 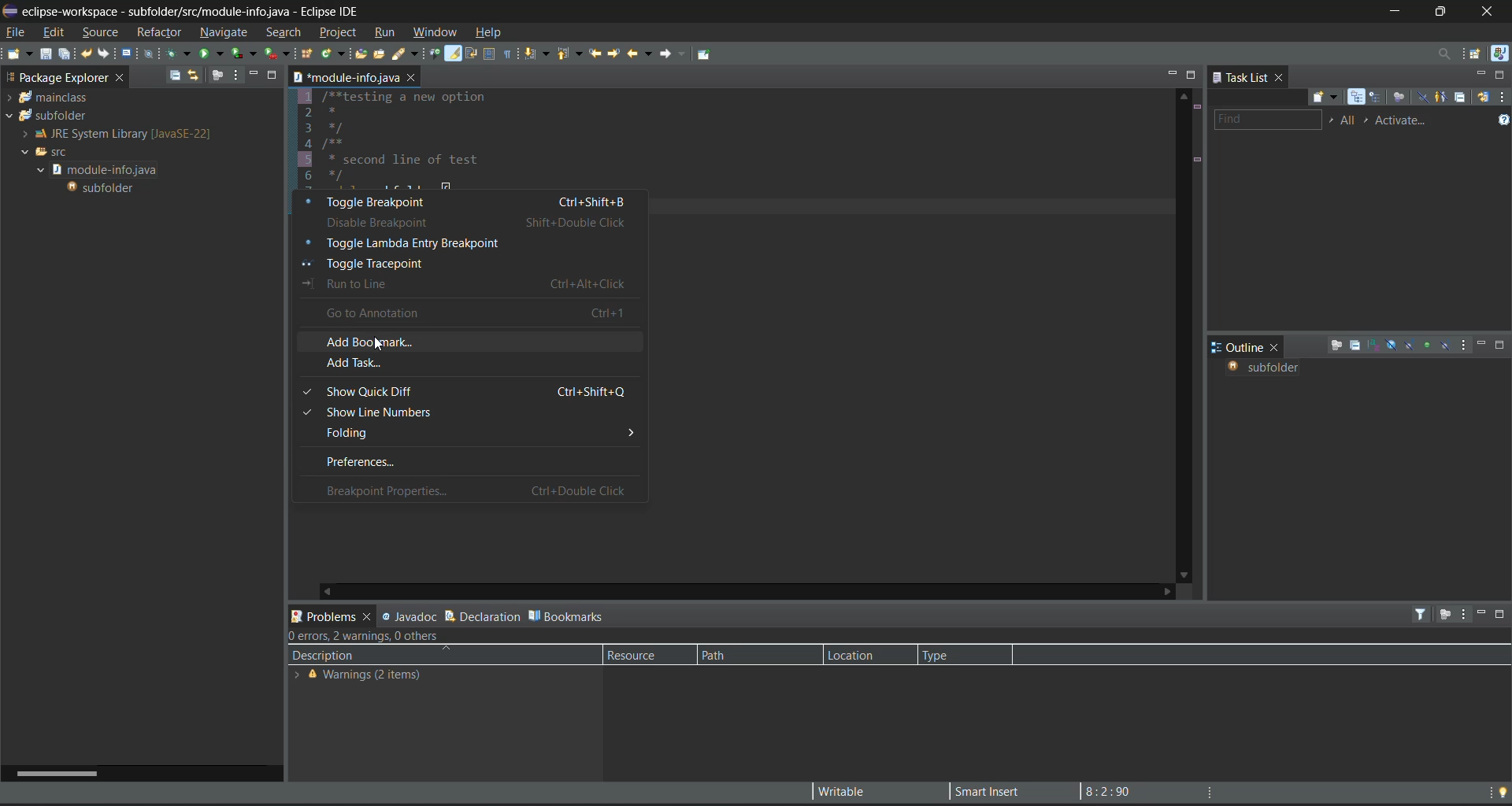 I want to click on scheduled , so click(x=1378, y=98).